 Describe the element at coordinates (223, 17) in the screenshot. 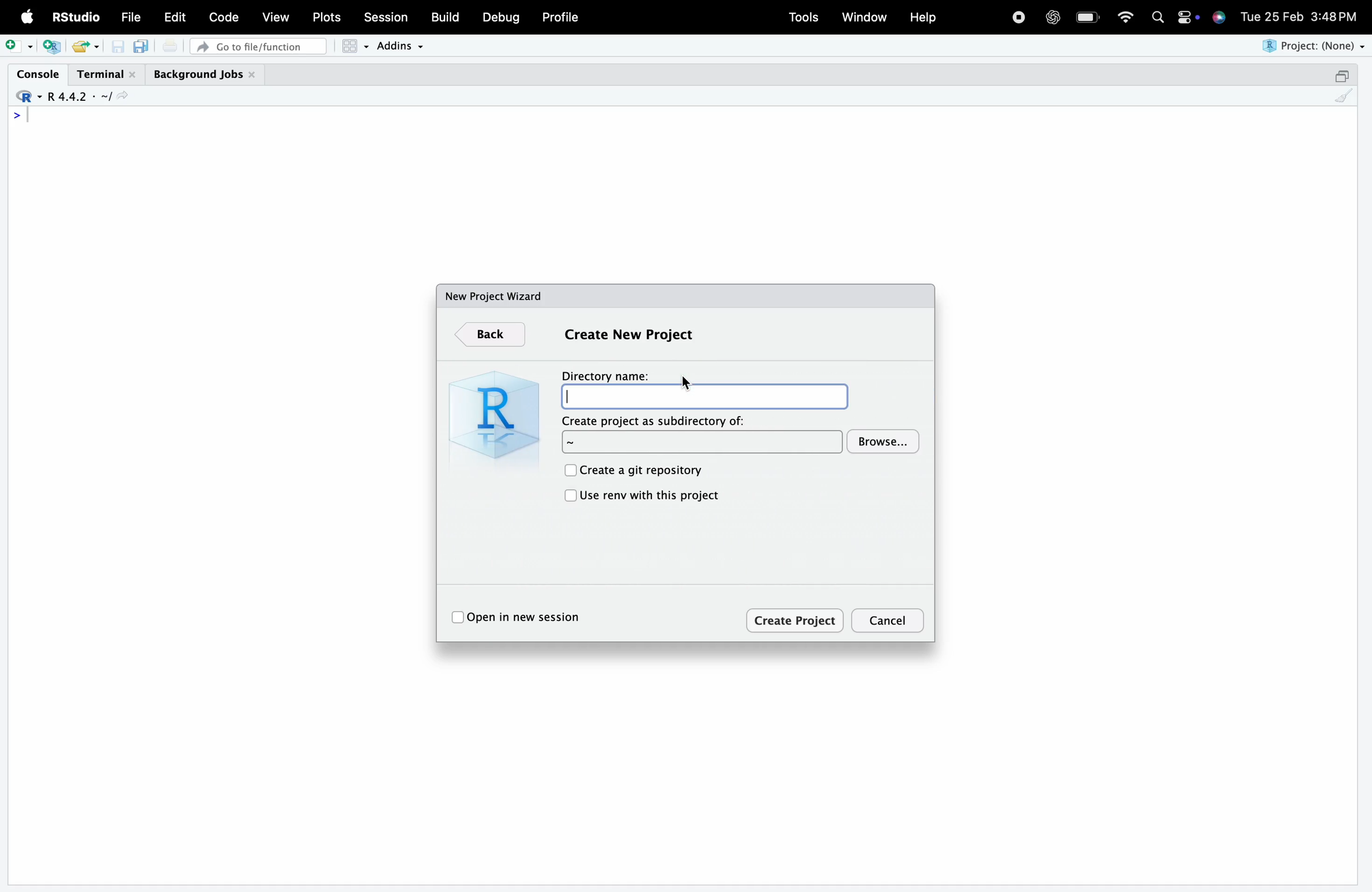

I see `Code` at that location.